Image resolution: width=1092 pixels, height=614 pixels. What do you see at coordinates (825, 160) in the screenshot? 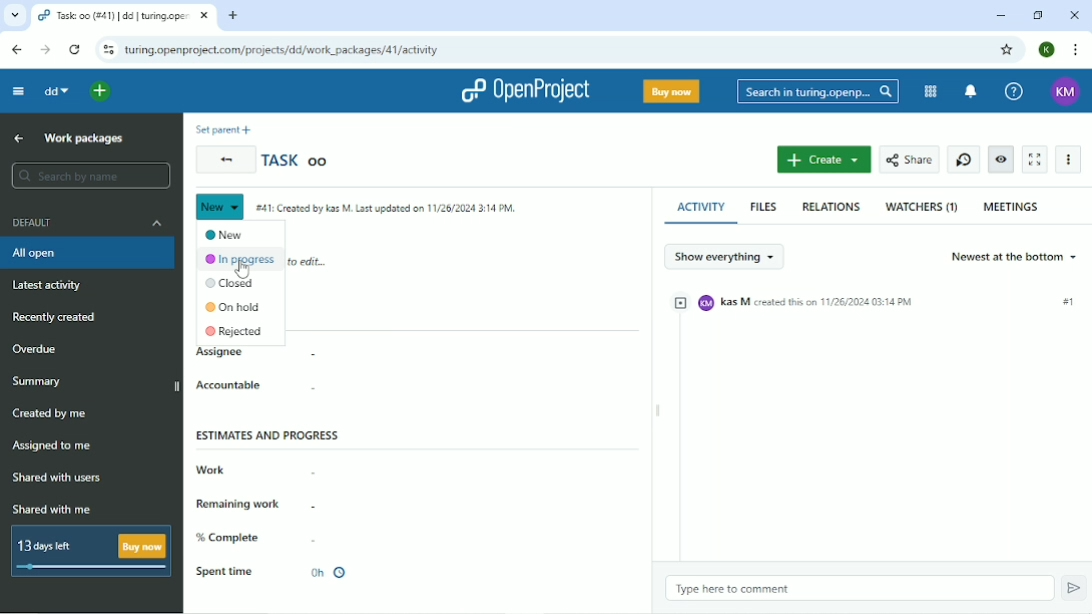
I see `Create` at bounding box center [825, 160].